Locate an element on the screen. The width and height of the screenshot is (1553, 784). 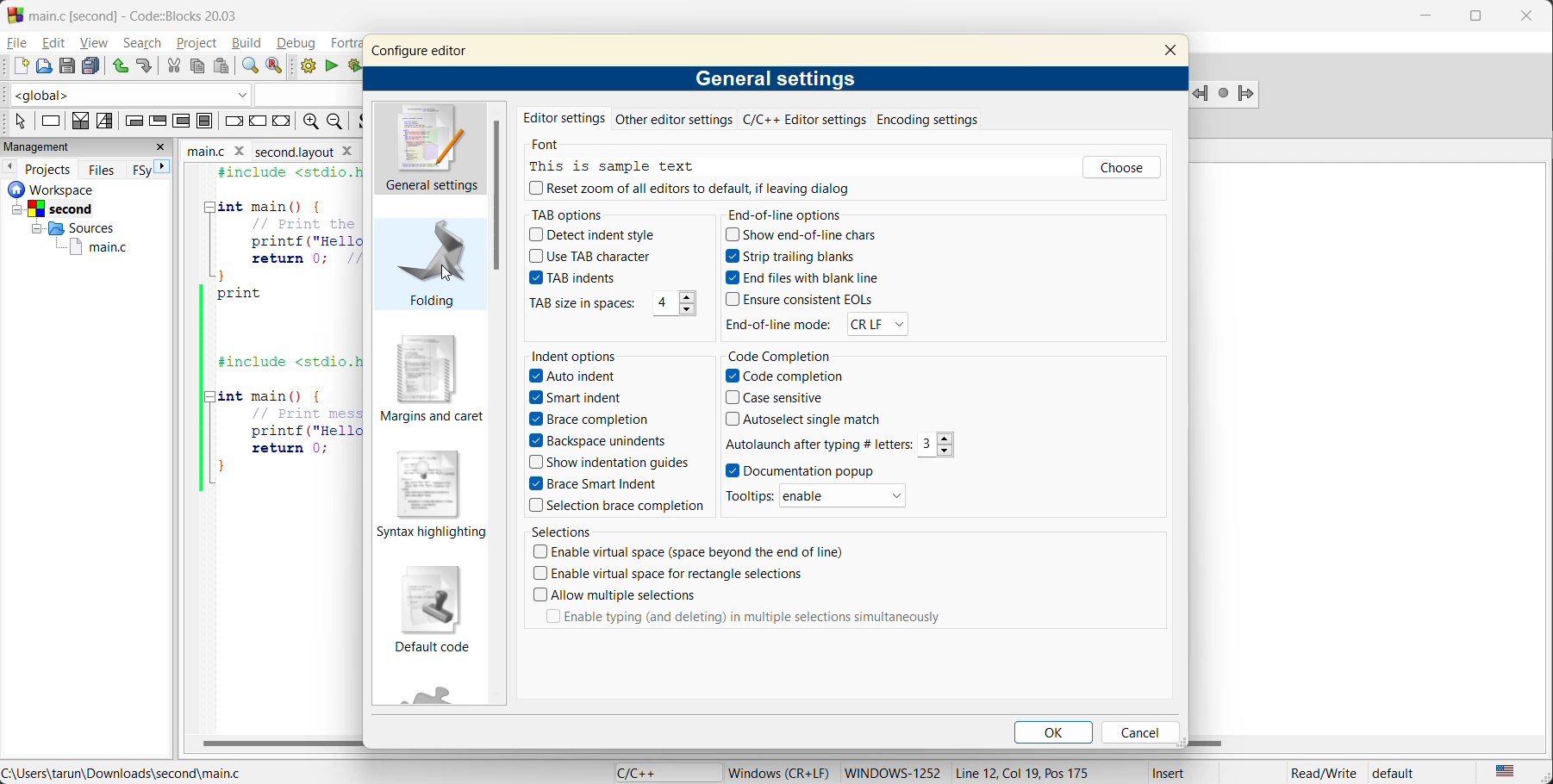
vertical scroll bar is located at coordinates (499, 195).